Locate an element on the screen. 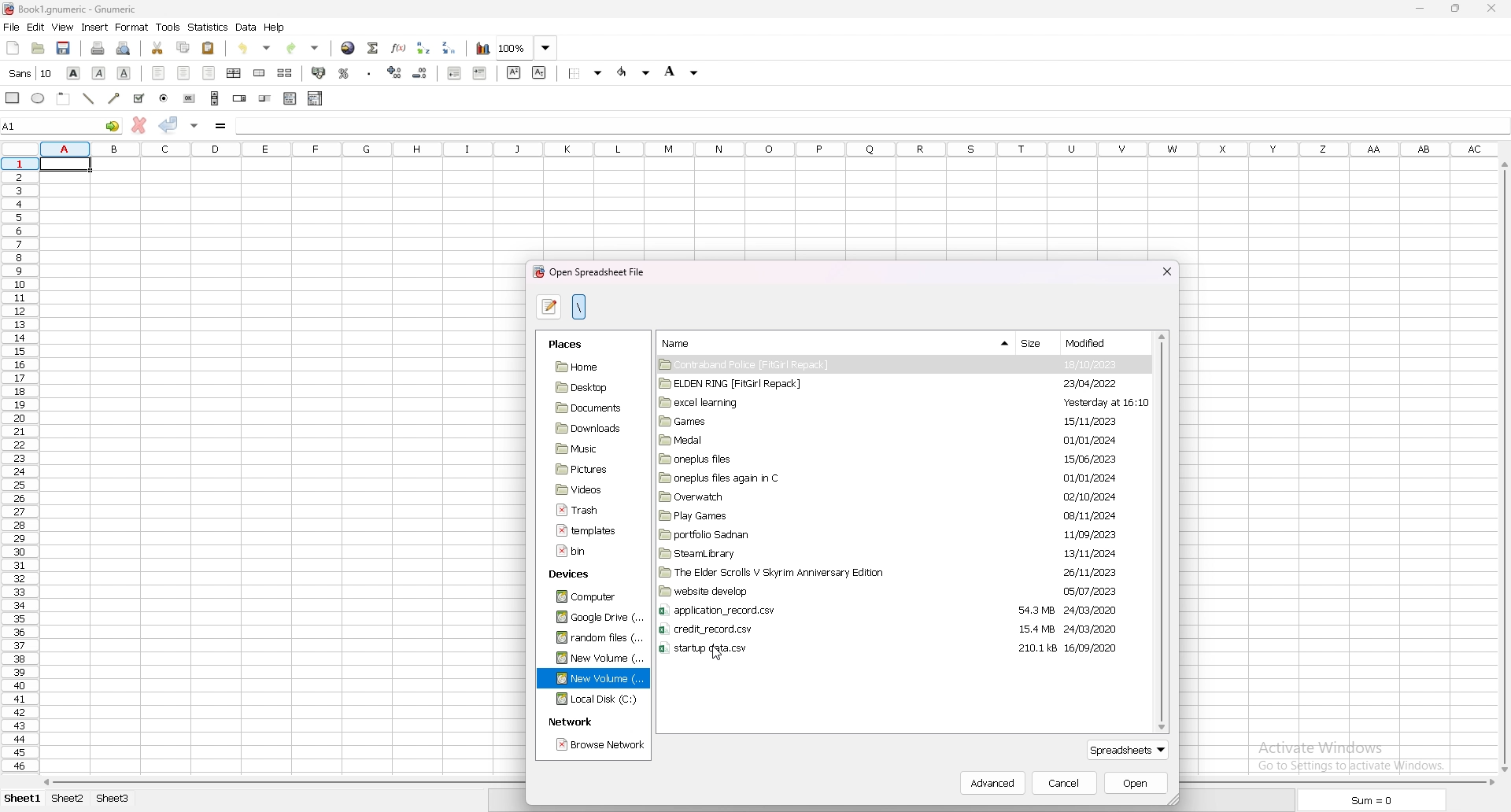 The width and height of the screenshot is (1511, 812). chart is located at coordinates (482, 50).